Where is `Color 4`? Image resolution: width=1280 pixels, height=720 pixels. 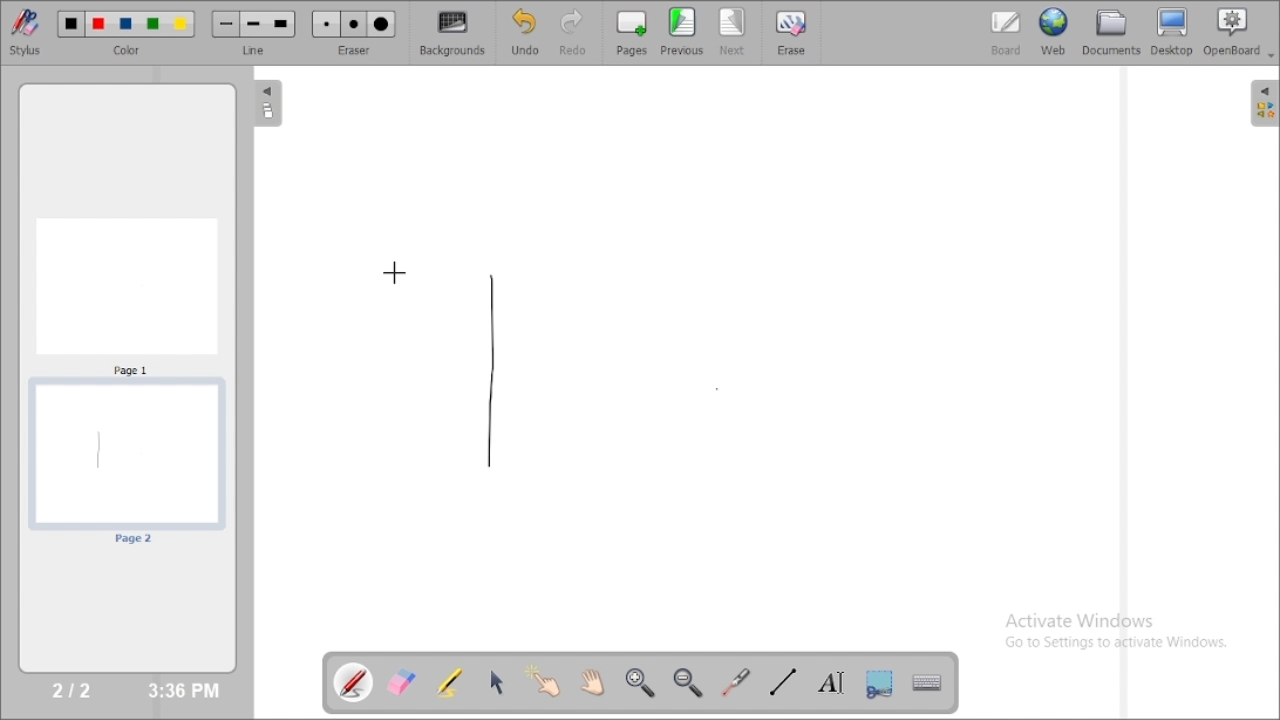 Color 4 is located at coordinates (153, 25).